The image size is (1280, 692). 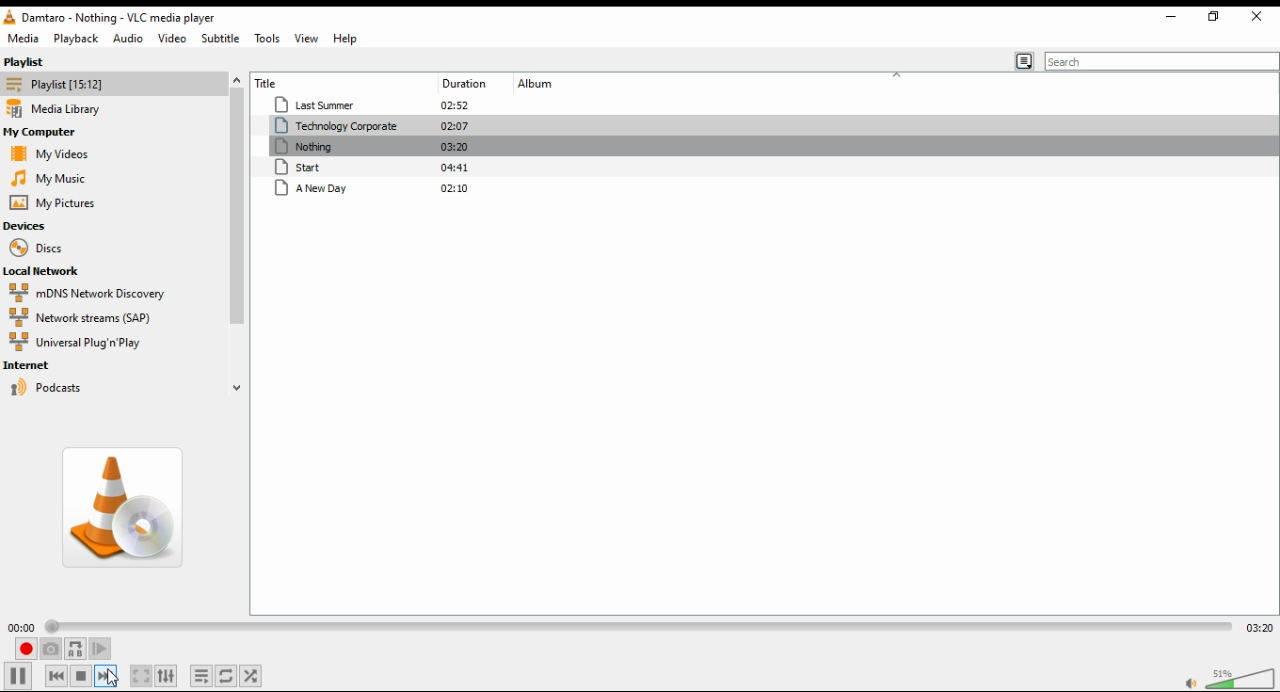 I want to click on search bar, so click(x=1160, y=61).